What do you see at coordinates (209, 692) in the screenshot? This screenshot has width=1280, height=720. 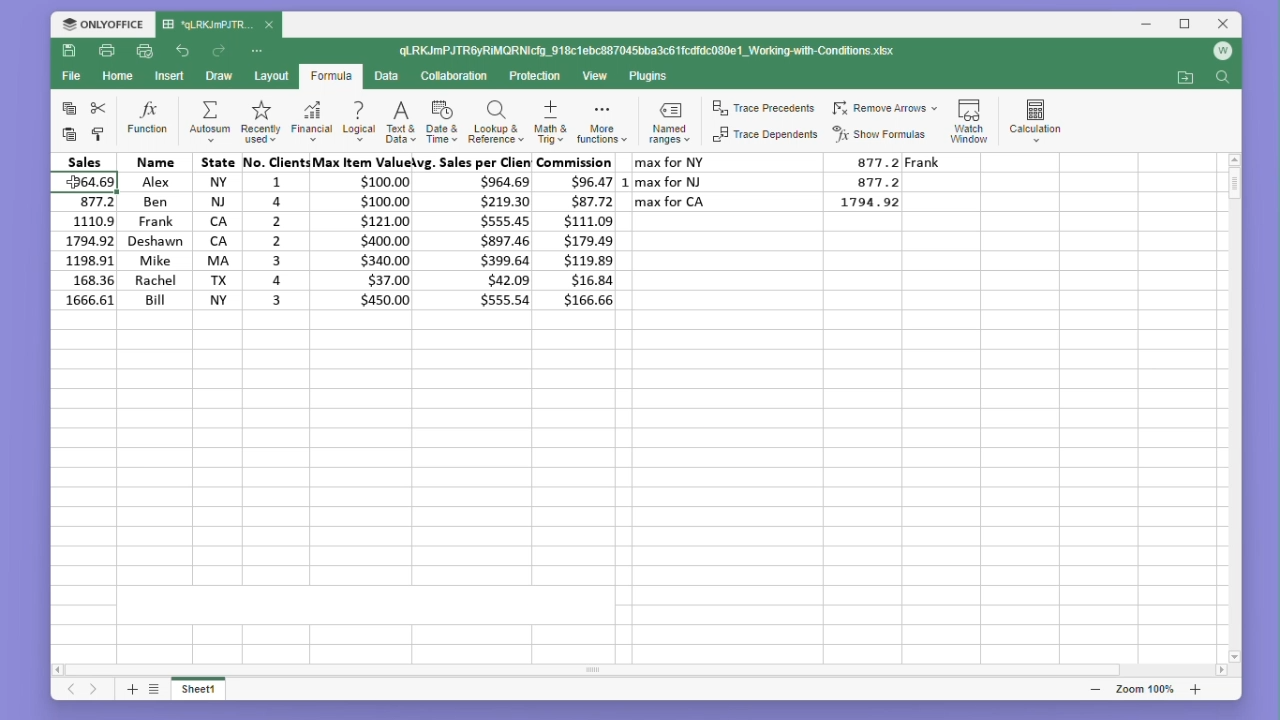 I see `Sheet 1` at bounding box center [209, 692].